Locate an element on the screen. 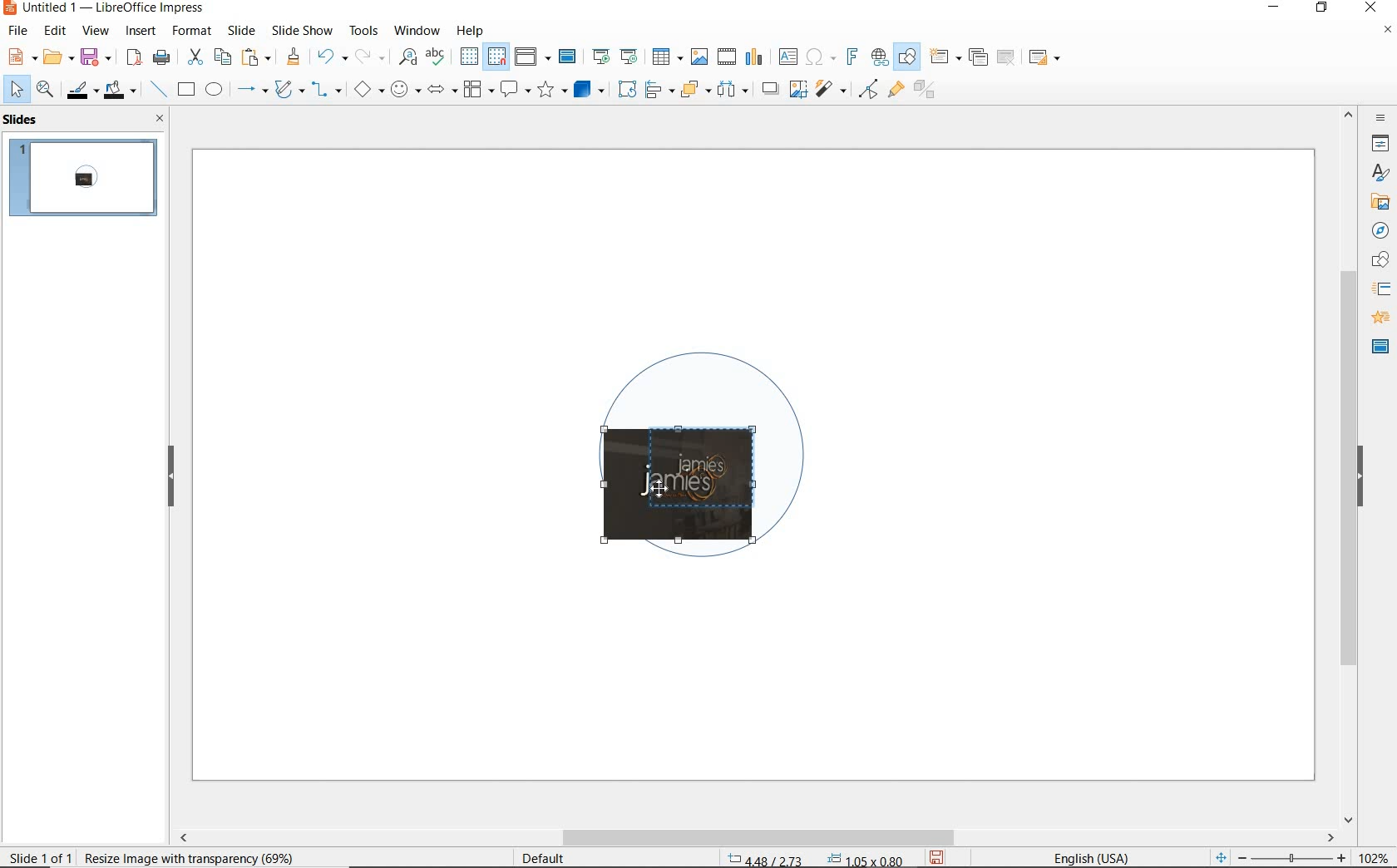 The image size is (1397, 868). new slide is located at coordinates (945, 57).